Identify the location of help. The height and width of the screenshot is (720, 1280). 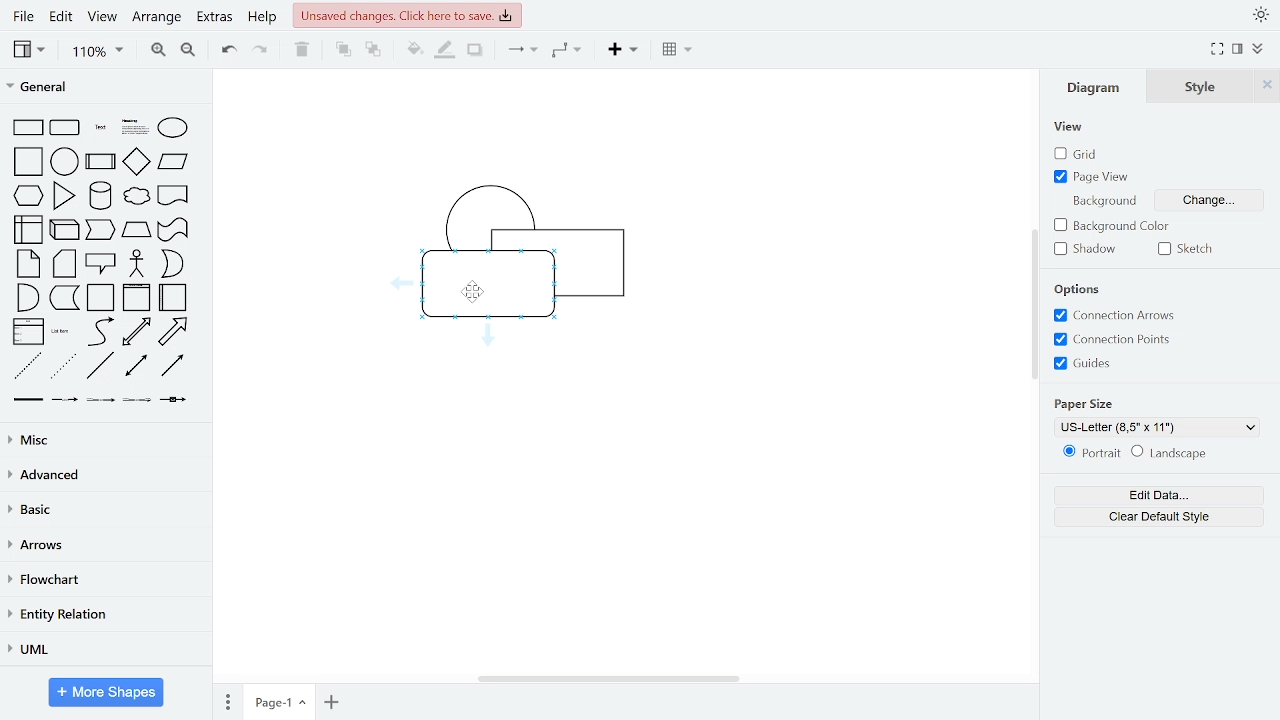
(264, 17).